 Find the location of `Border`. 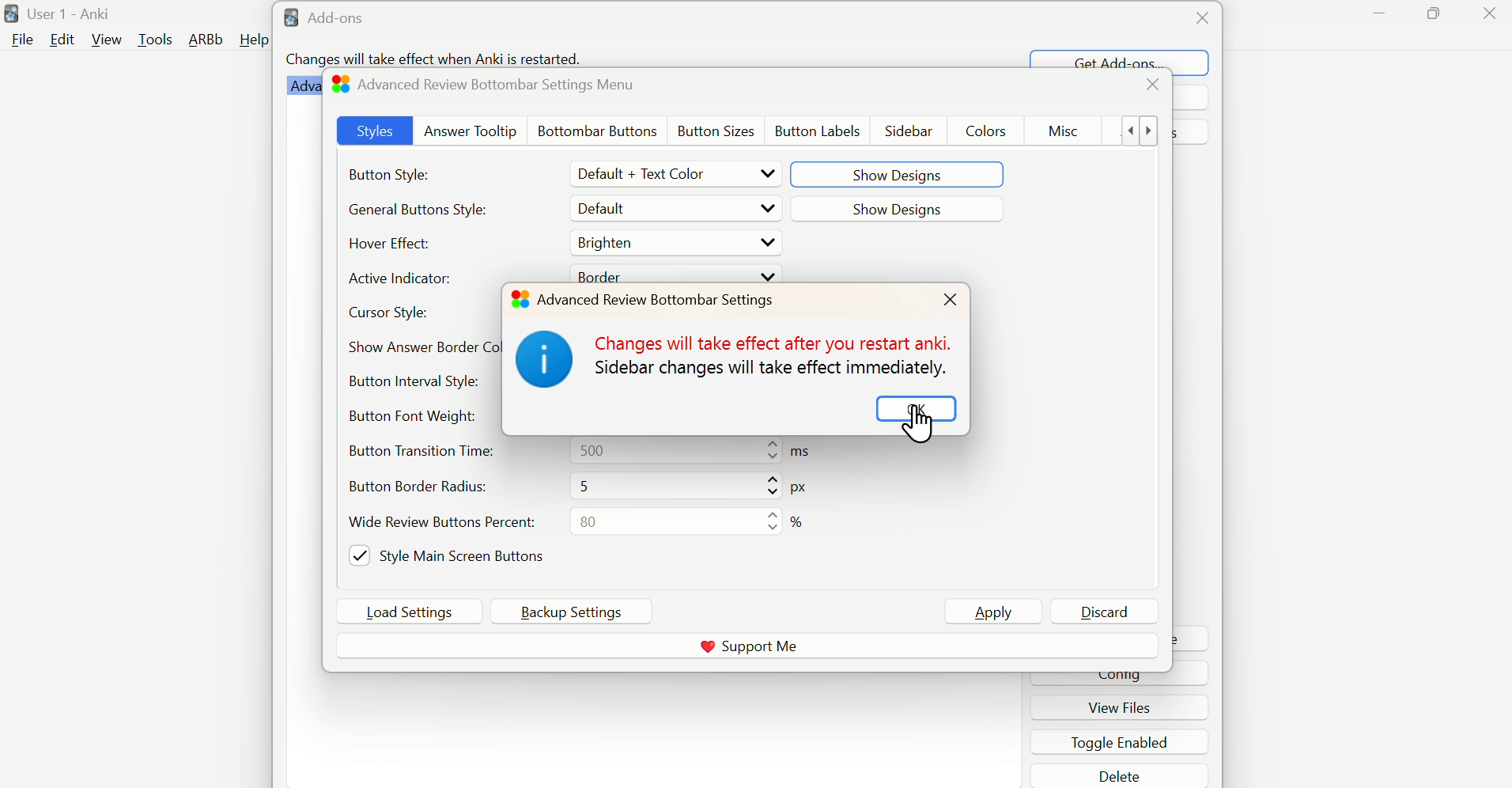

Border is located at coordinates (607, 276).